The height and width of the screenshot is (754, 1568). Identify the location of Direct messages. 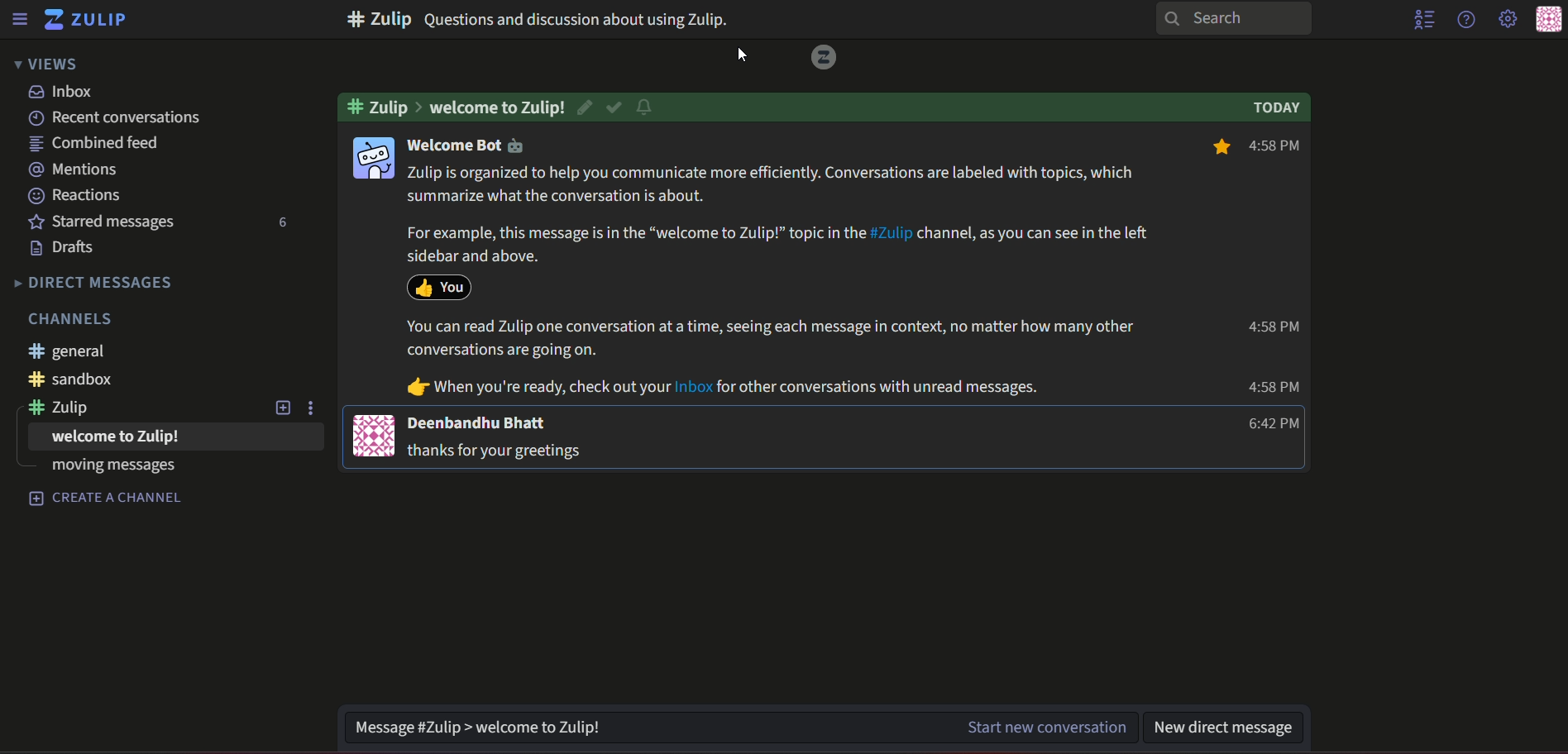
(92, 284).